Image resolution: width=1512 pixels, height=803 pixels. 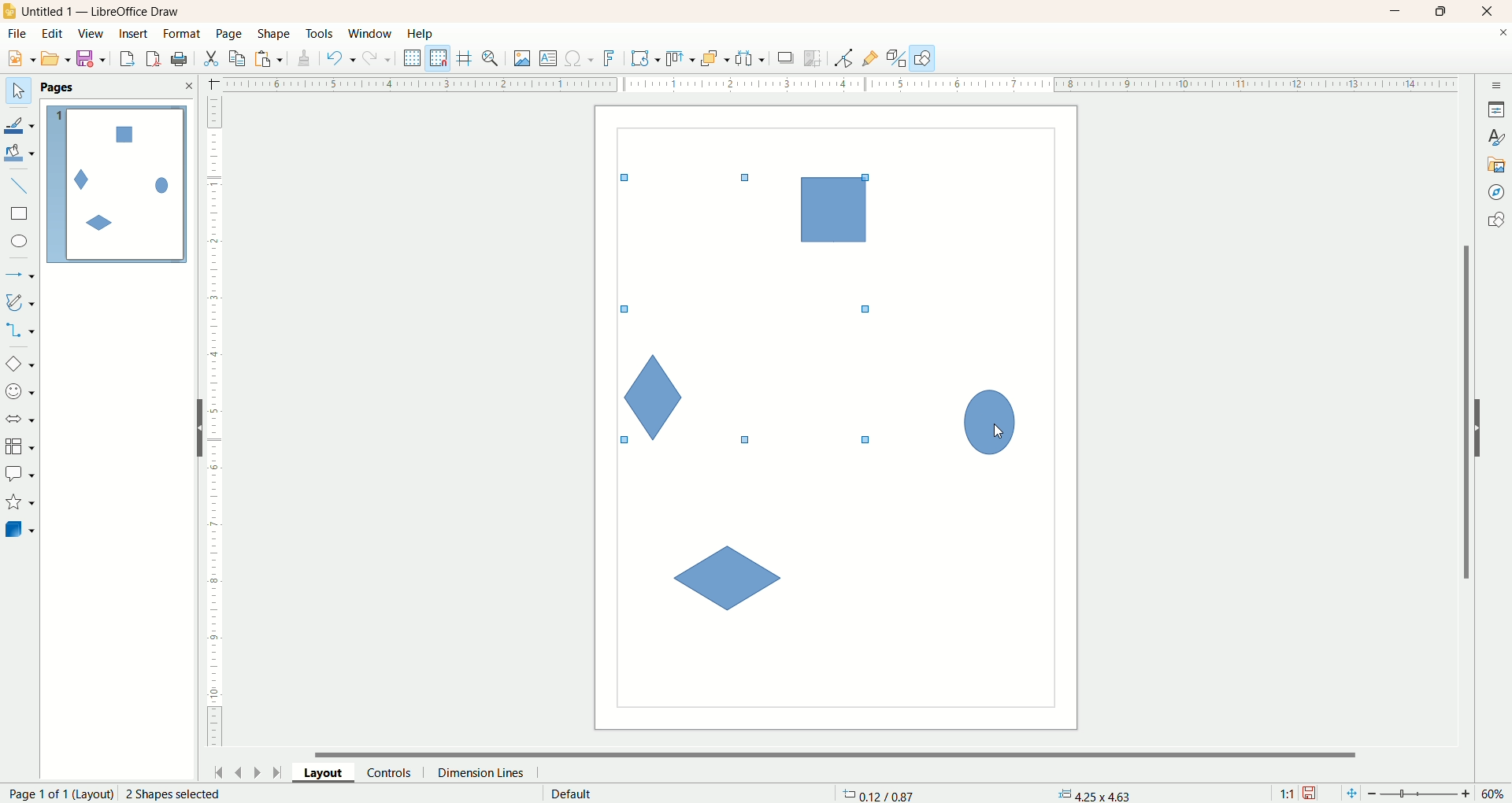 What do you see at coordinates (786, 57) in the screenshot?
I see `shadow` at bounding box center [786, 57].